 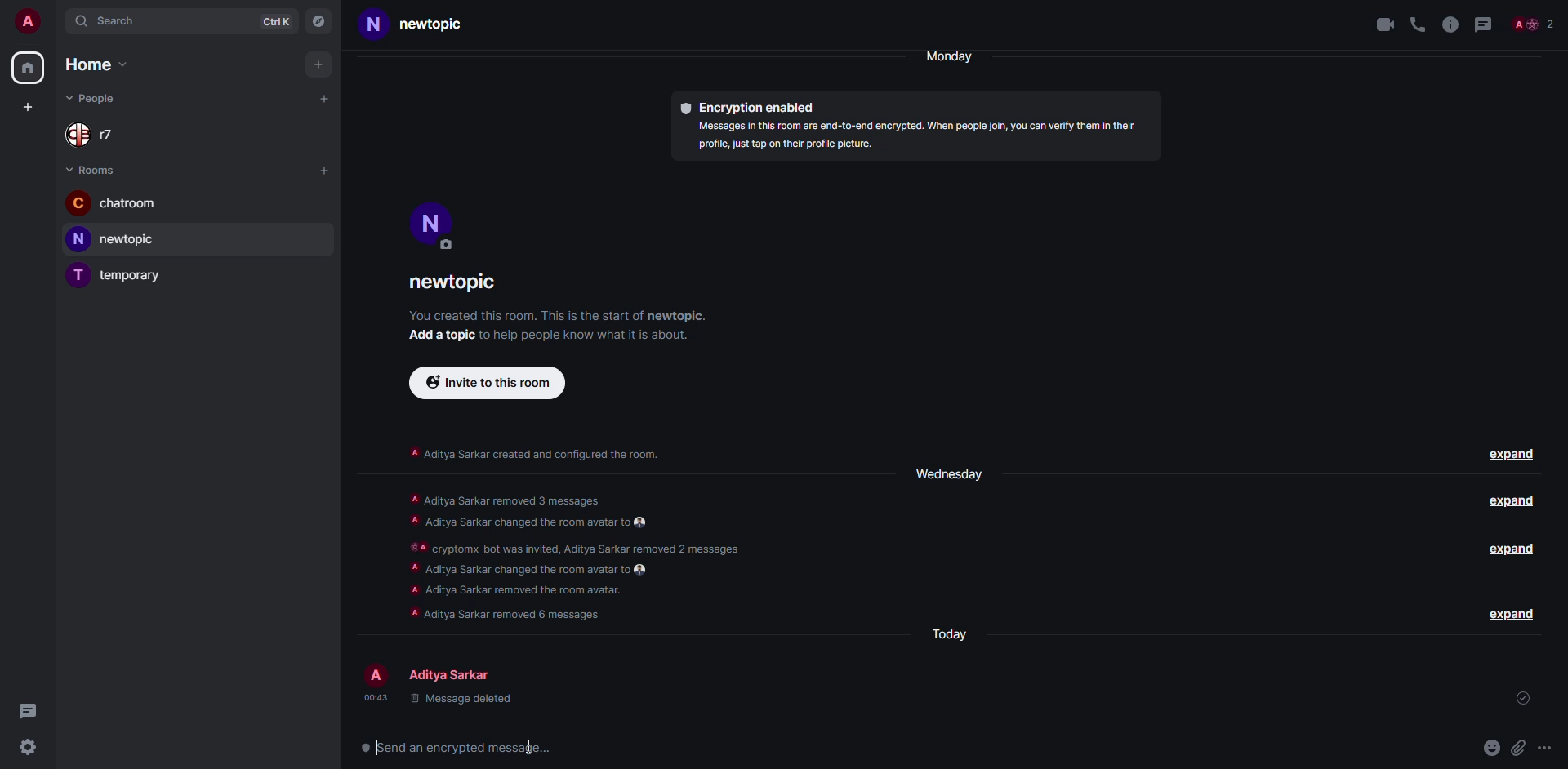 I want to click on people, so click(x=454, y=676).